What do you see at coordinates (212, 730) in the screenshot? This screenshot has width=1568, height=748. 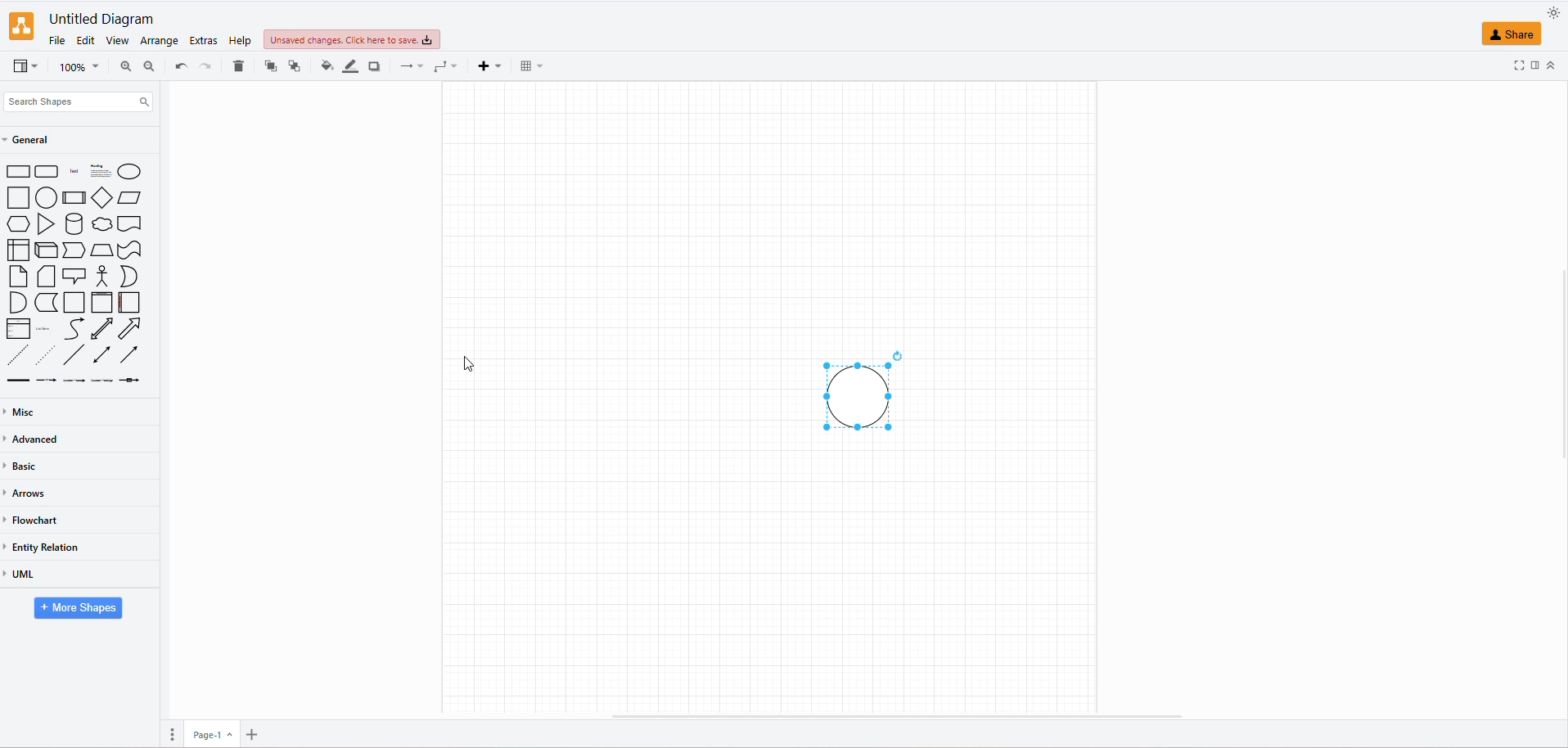 I see `PAGE` at bounding box center [212, 730].